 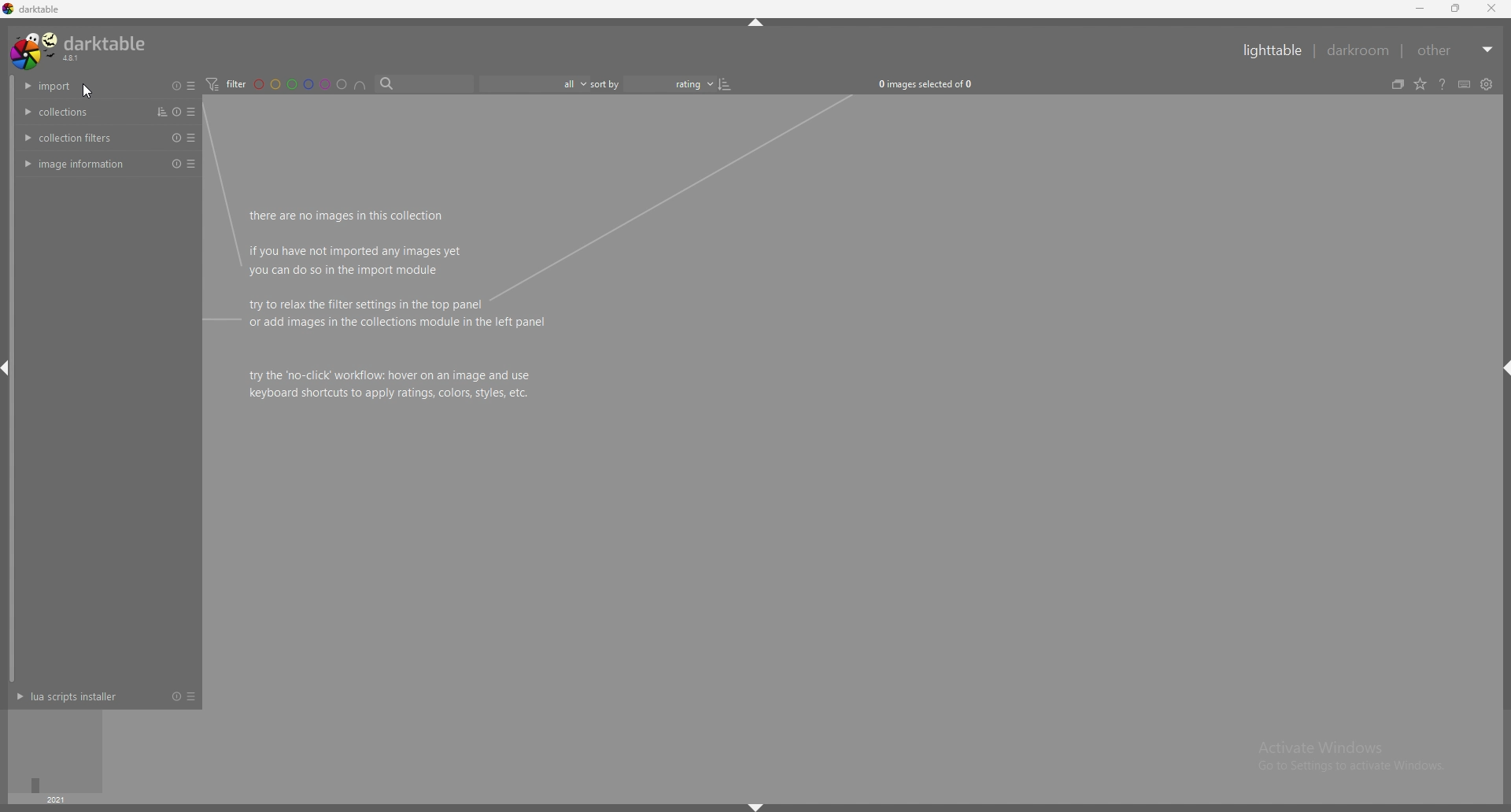 What do you see at coordinates (191, 113) in the screenshot?
I see `presets` at bounding box center [191, 113].